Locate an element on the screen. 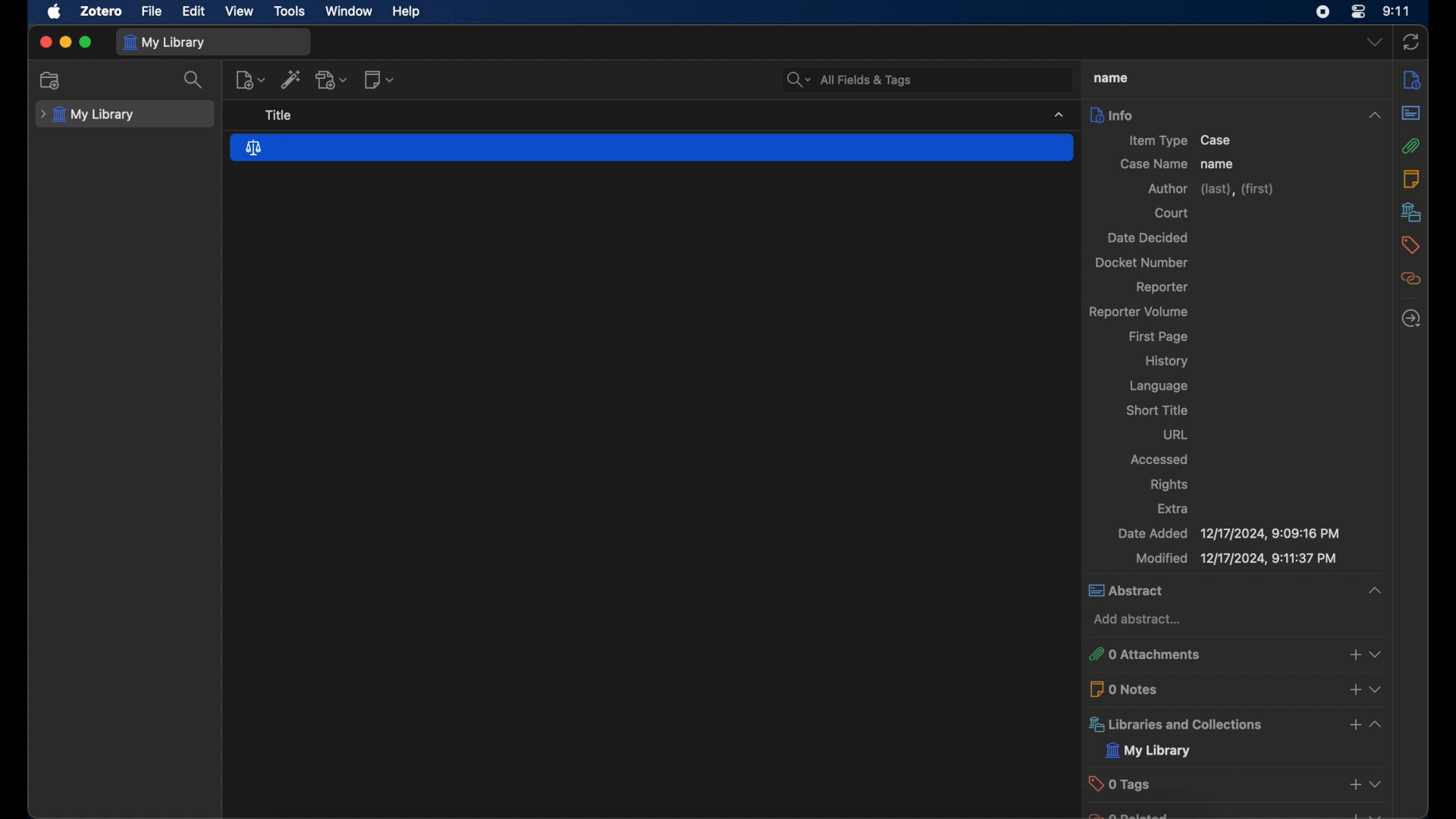 This screenshot has width=1456, height=819. file is located at coordinates (152, 12).